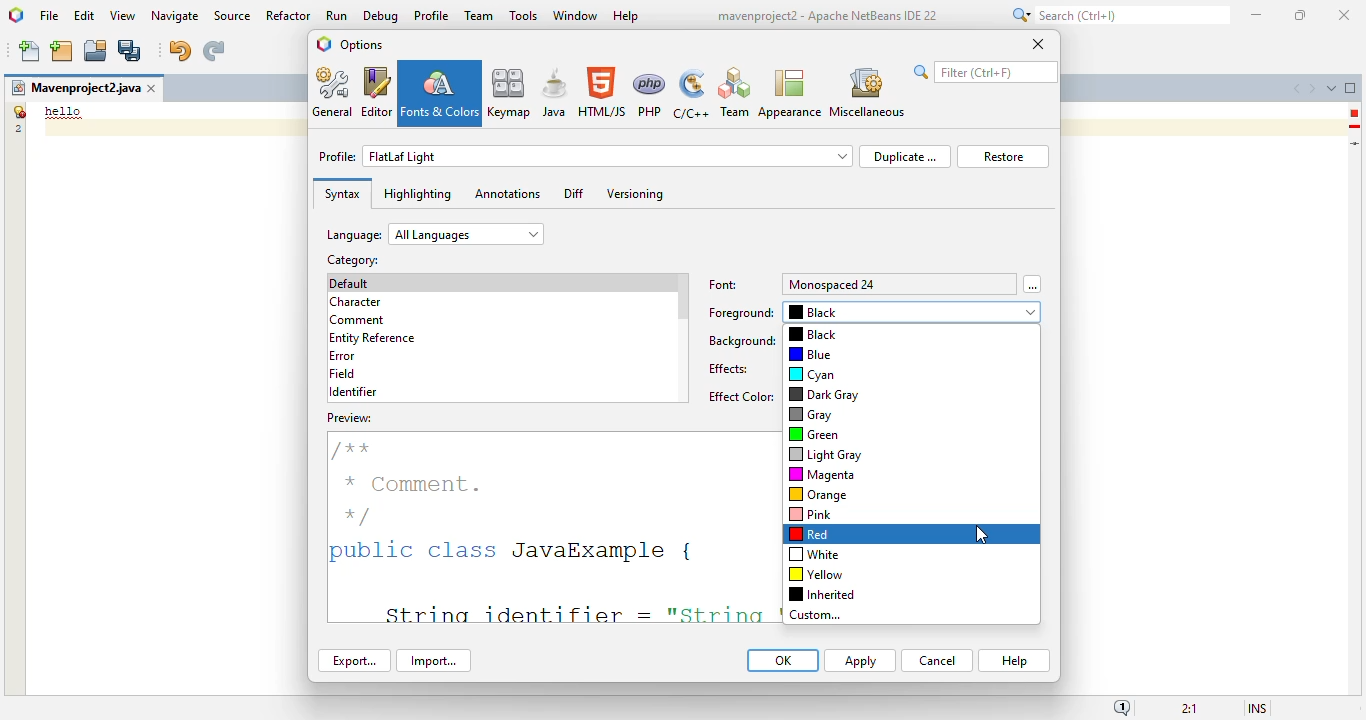 This screenshot has height=720, width=1366. Describe the element at coordinates (1299, 15) in the screenshot. I see `maximize` at that location.